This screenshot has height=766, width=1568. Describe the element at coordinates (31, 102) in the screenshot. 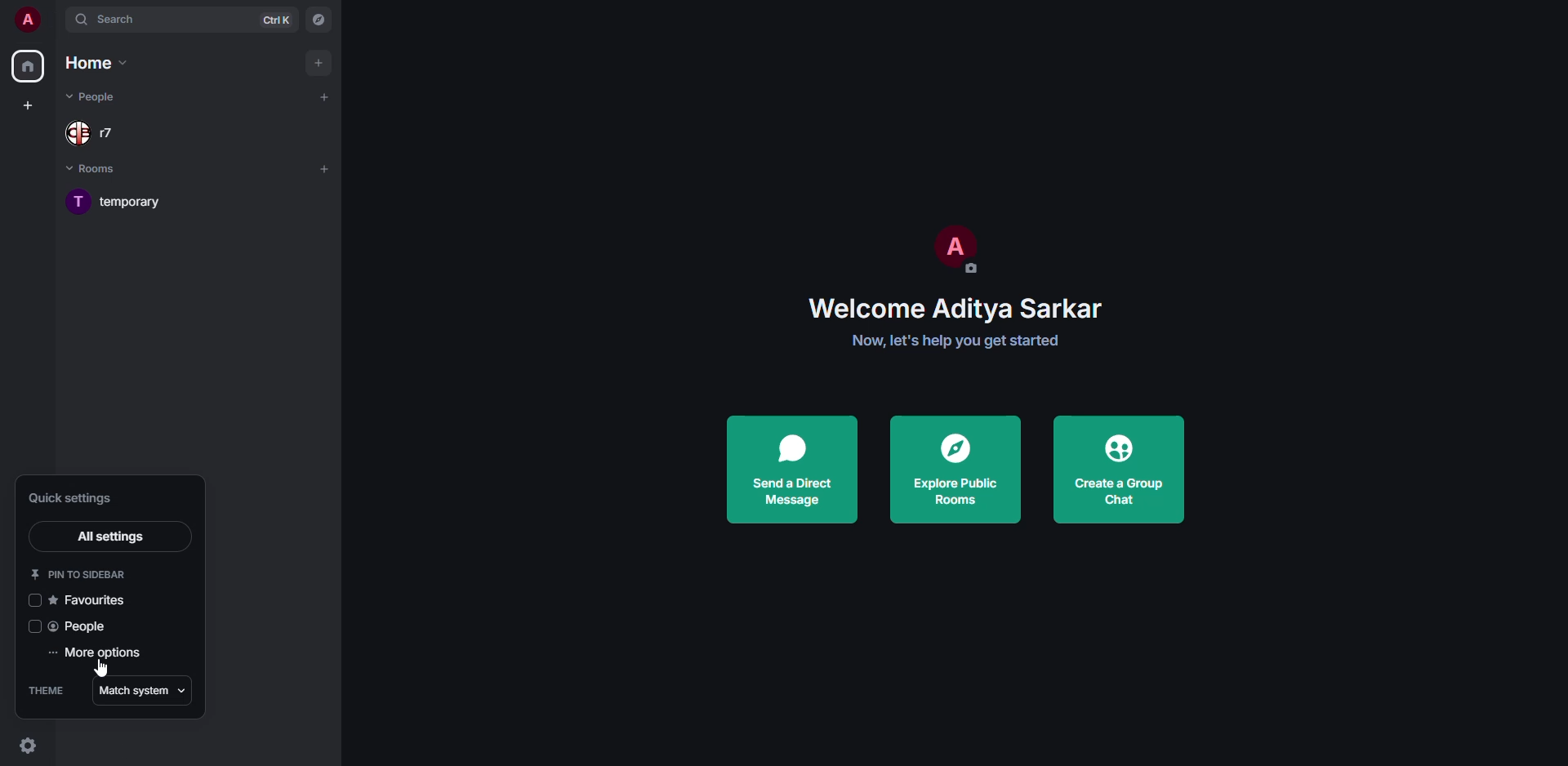

I see `create space` at that location.